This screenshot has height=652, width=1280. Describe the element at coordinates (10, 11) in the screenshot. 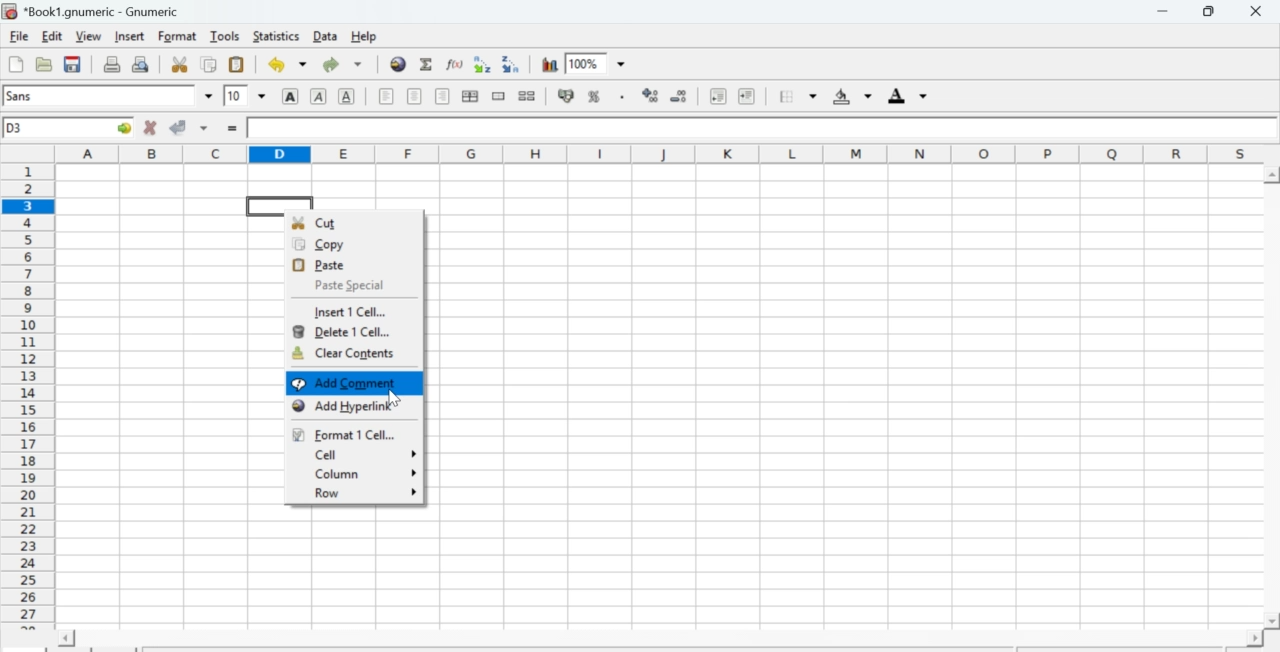

I see `icon` at that location.